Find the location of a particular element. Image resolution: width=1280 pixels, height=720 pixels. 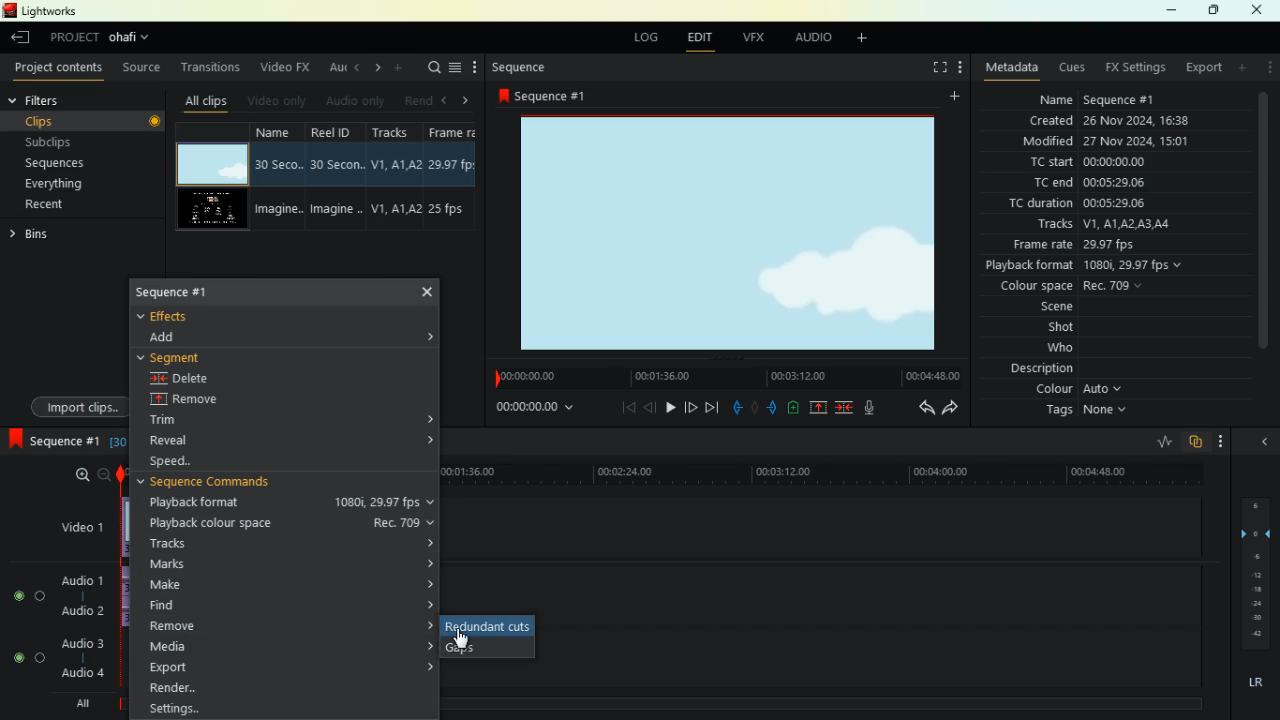

reveal is located at coordinates (177, 441).